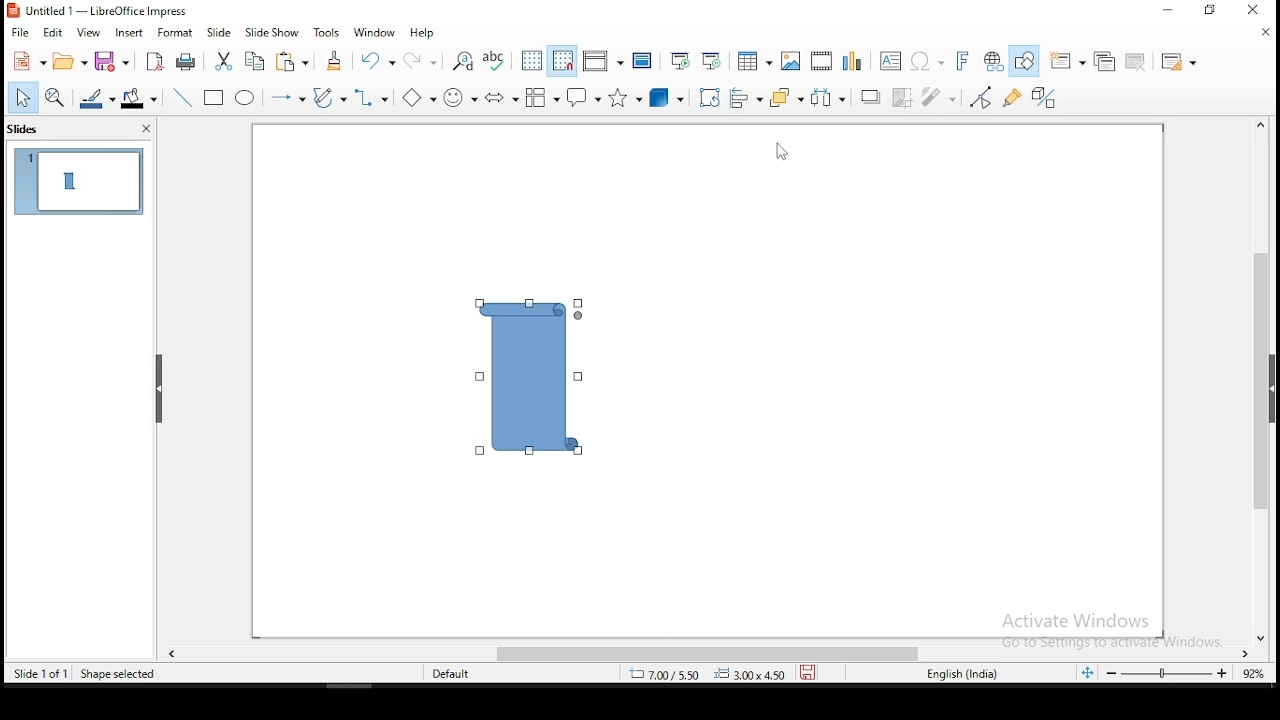 This screenshot has height=720, width=1280. I want to click on slides, so click(27, 132).